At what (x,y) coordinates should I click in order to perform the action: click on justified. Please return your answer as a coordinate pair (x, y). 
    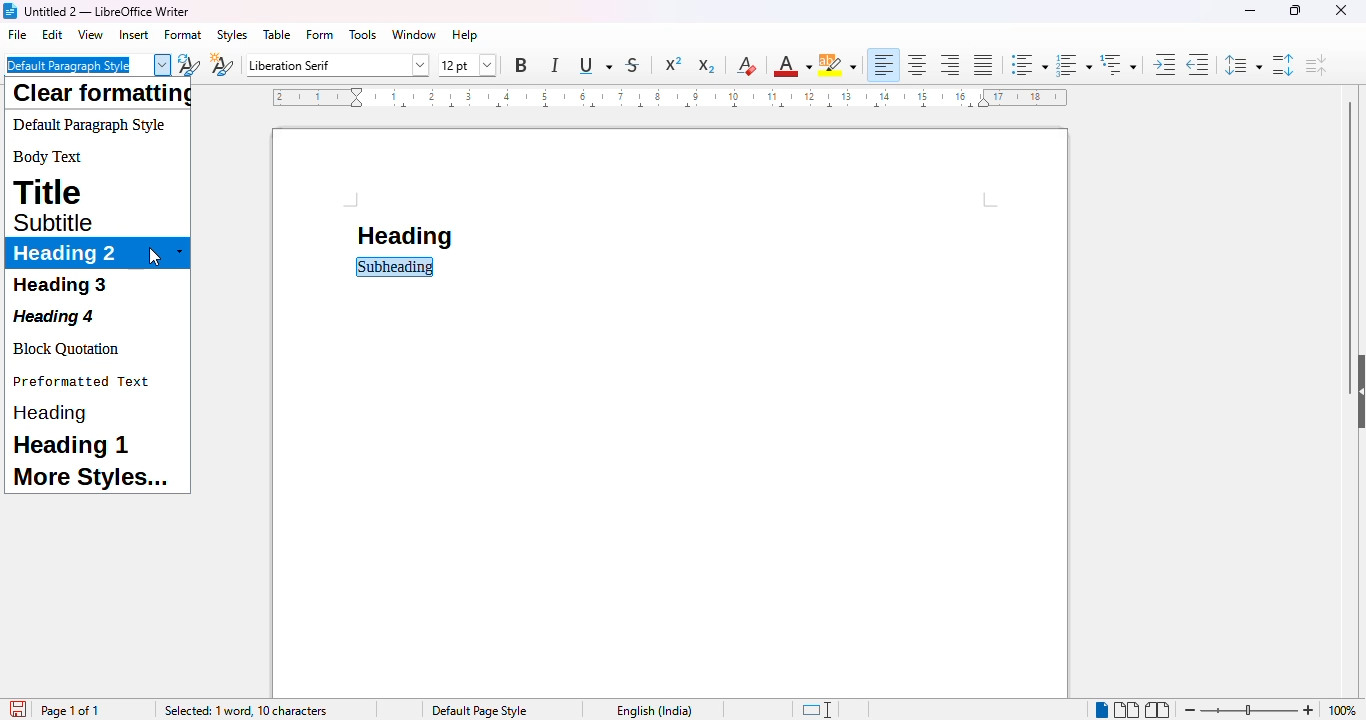
    Looking at the image, I should click on (983, 64).